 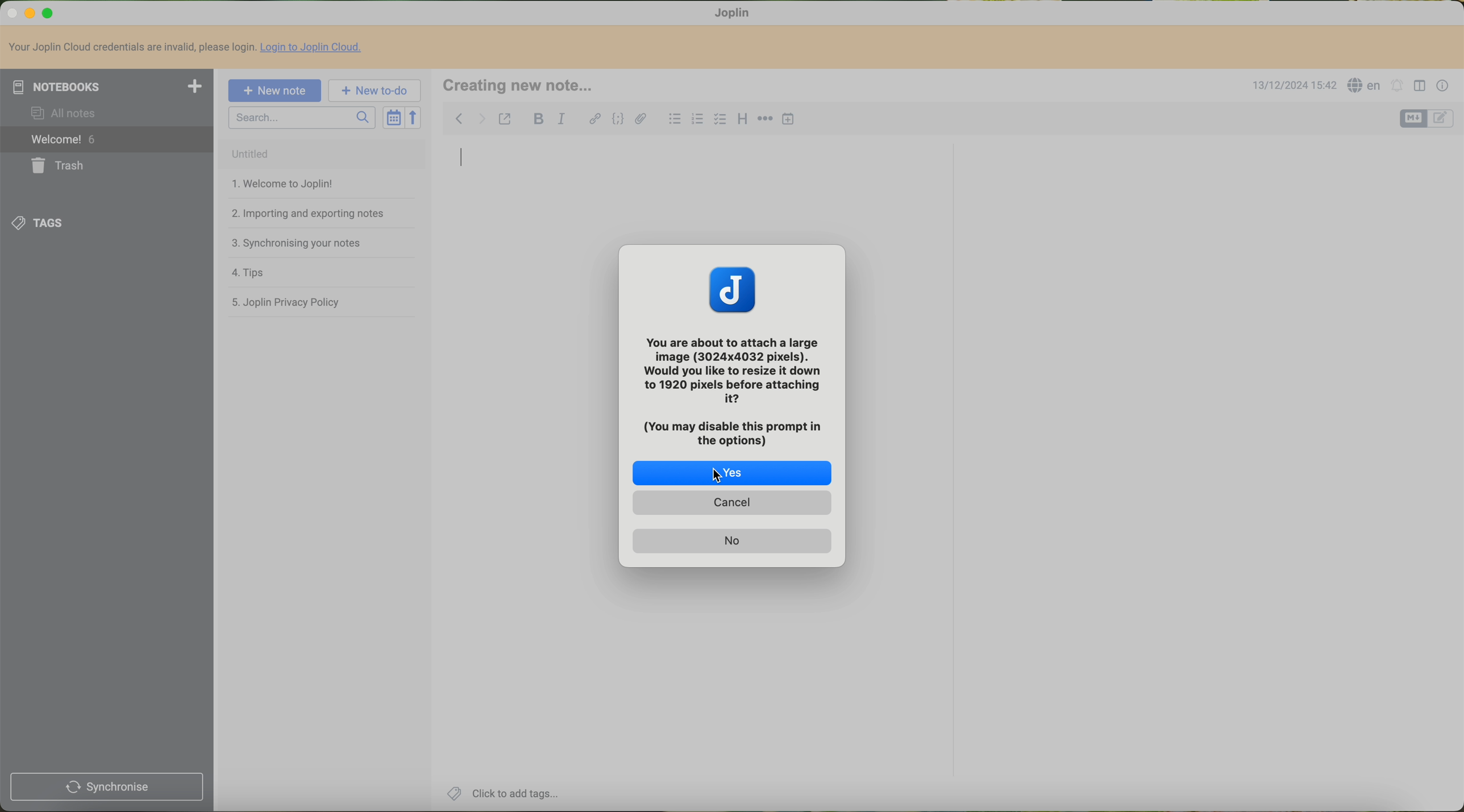 What do you see at coordinates (375, 91) in the screenshot?
I see `new to-do` at bounding box center [375, 91].